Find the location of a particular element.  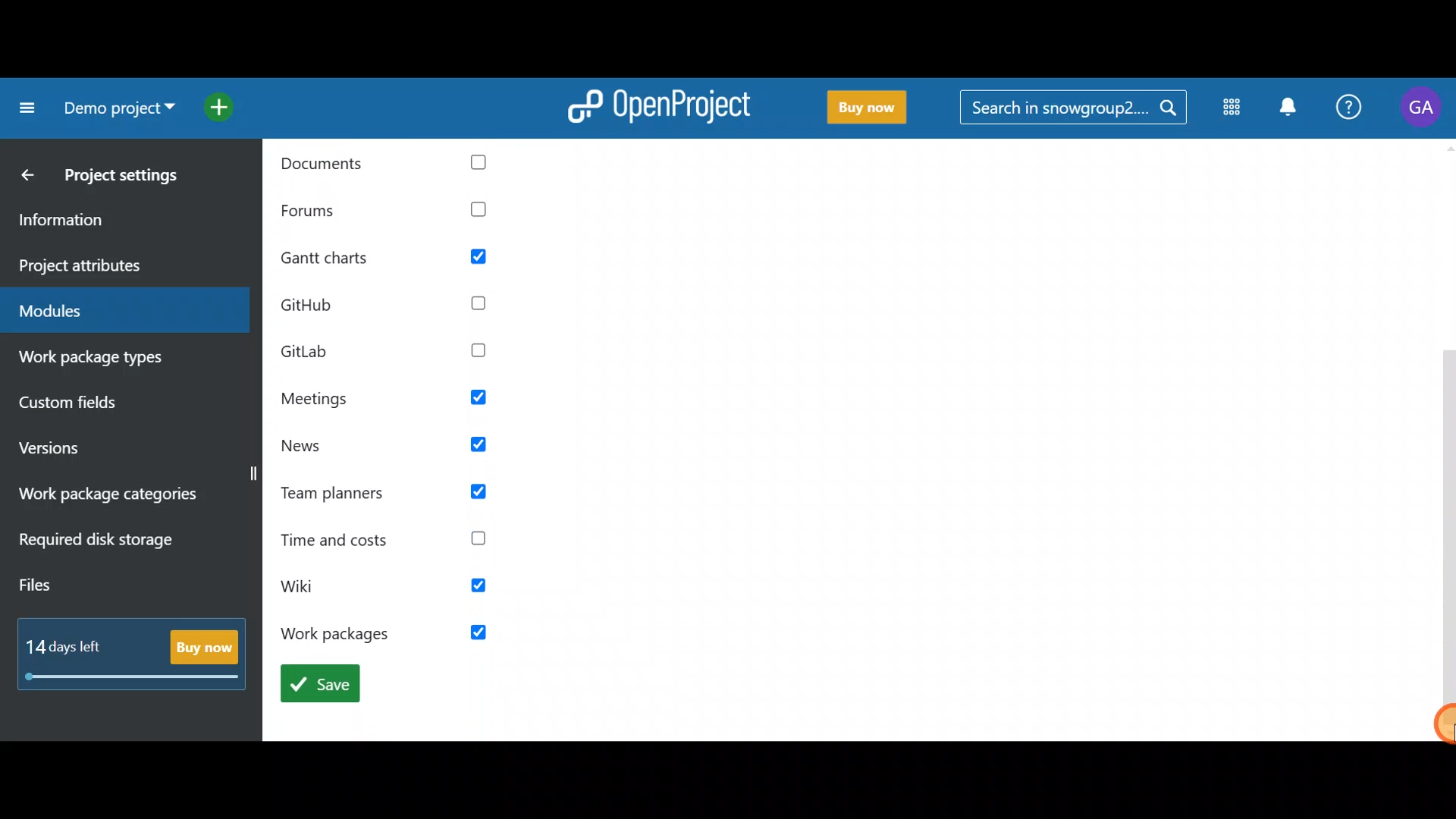

OpenProject is located at coordinates (660, 111).